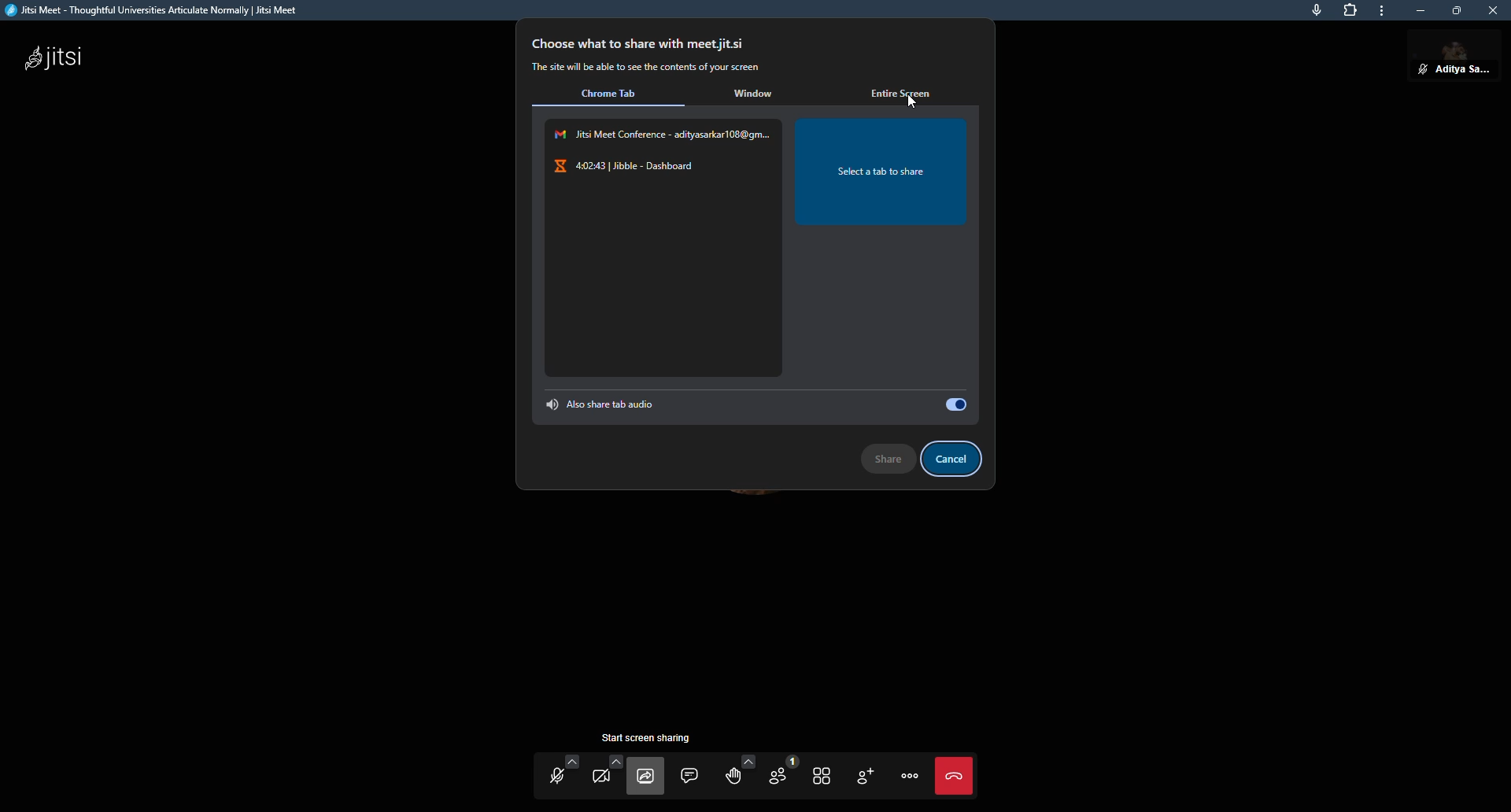 Image resolution: width=1511 pixels, height=812 pixels. Describe the element at coordinates (907, 90) in the screenshot. I see `entire screen` at that location.